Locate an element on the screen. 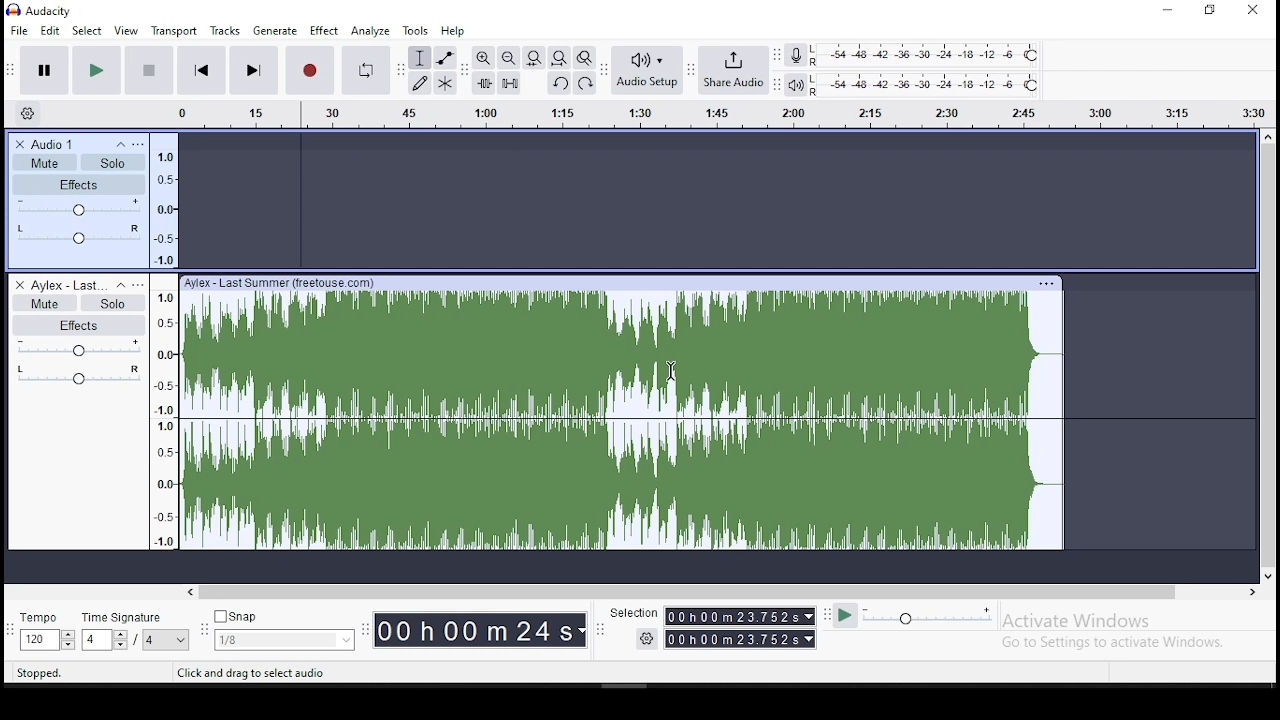 The height and width of the screenshot is (720, 1280). audio  is located at coordinates (59, 144).